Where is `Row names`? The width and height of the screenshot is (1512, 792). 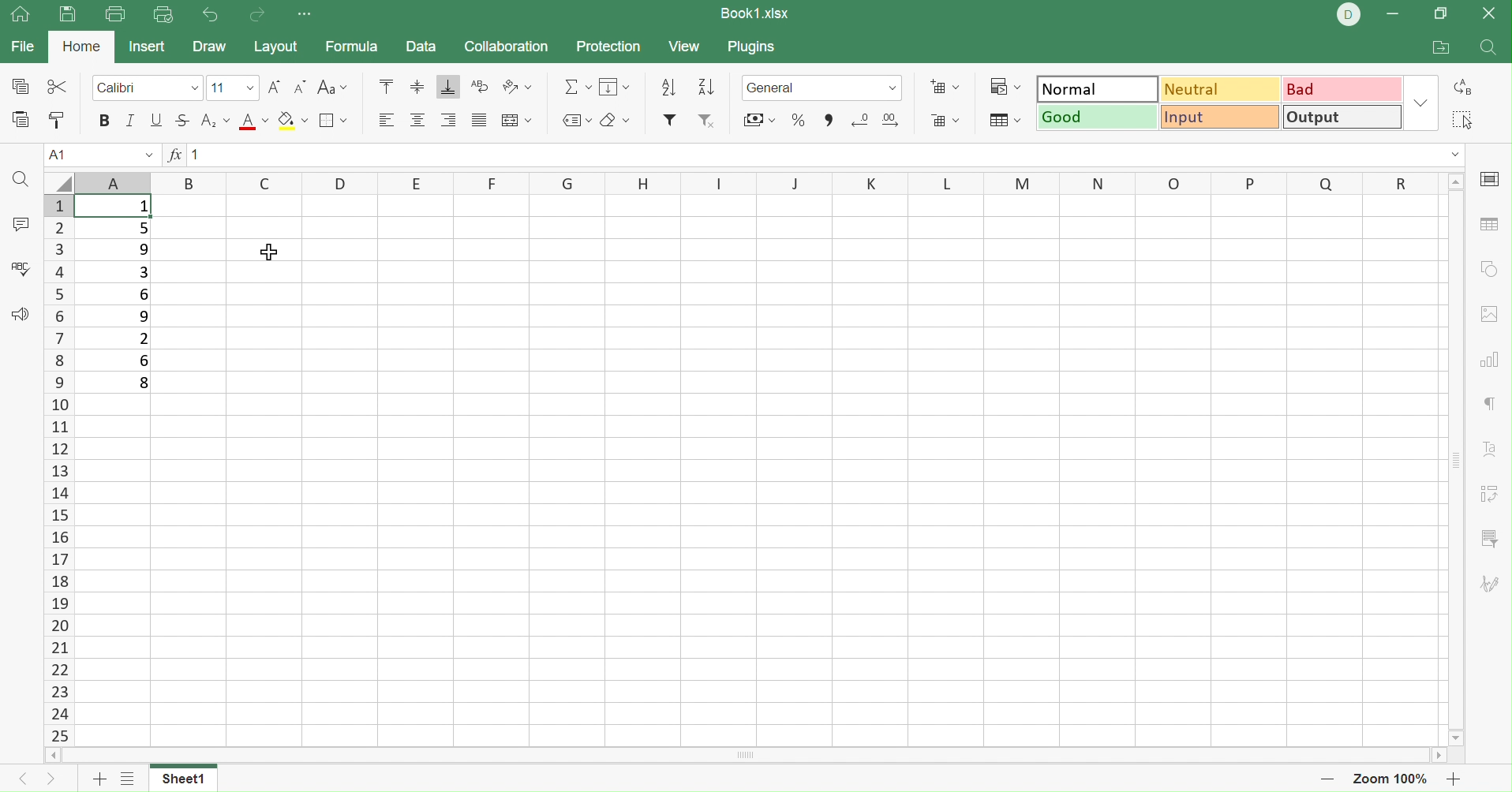
Row names is located at coordinates (58, 470).